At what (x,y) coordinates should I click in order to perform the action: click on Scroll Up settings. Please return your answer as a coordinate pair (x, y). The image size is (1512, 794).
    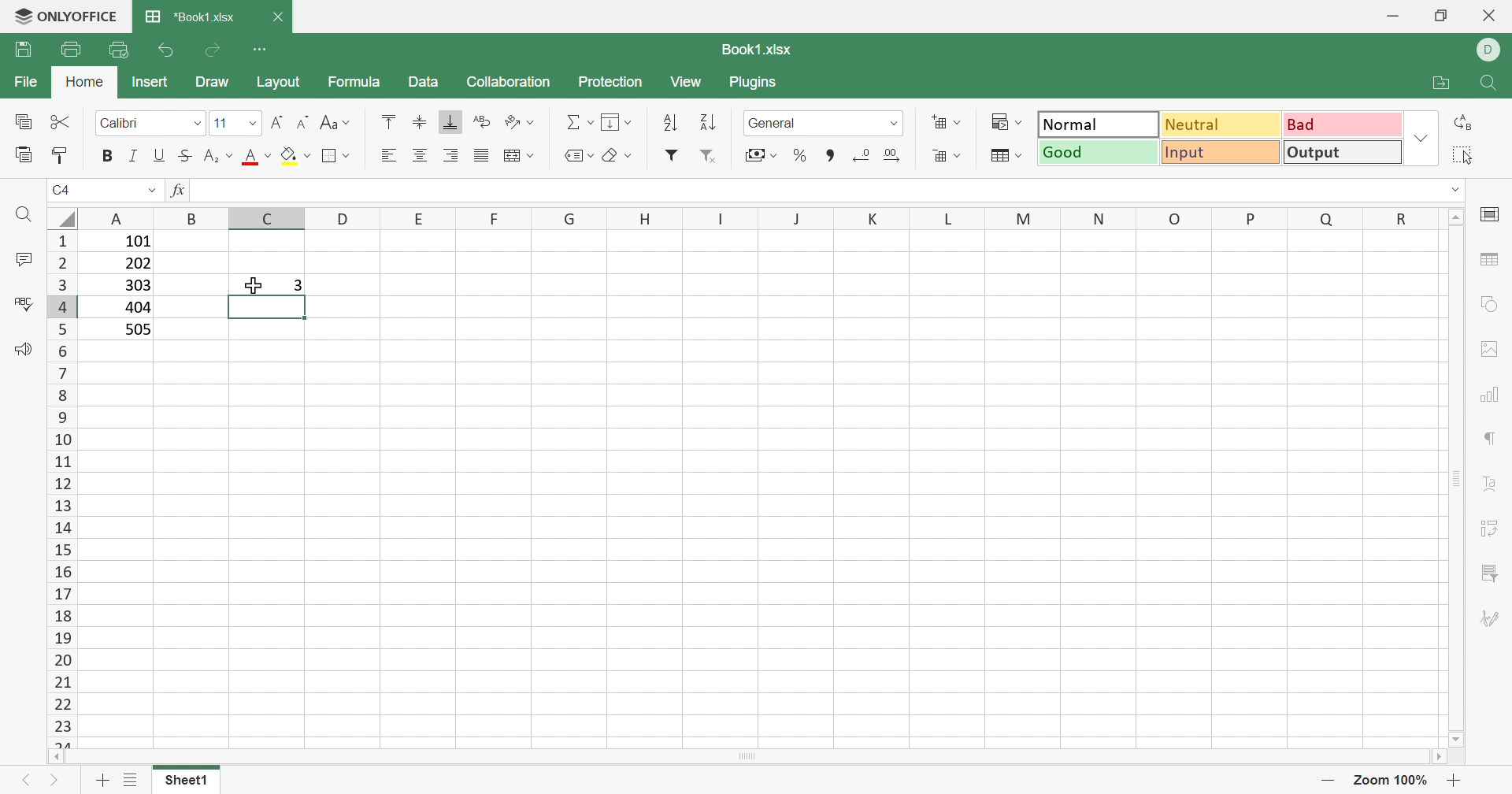
    Looking at the image, I should click on (1456, 216).